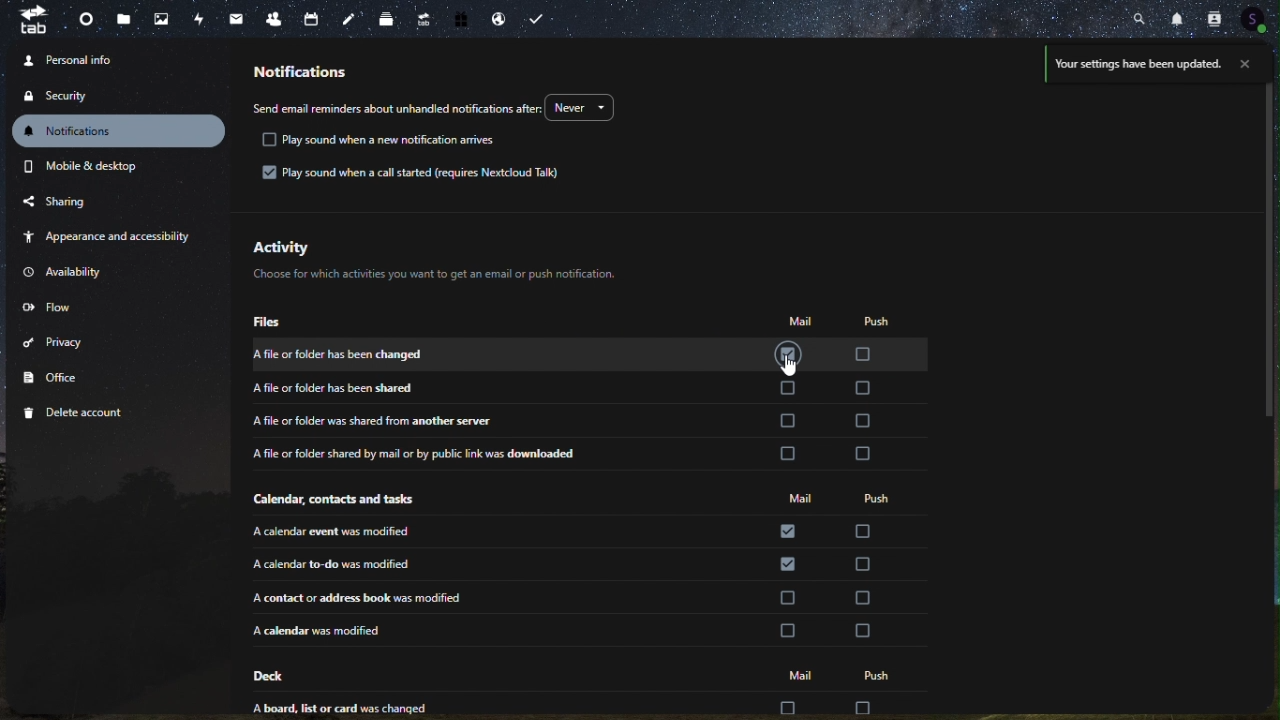  What do you see at coordinates (865, 564) in the screenshot?
I see `check box` at bounding box center [865, 564].